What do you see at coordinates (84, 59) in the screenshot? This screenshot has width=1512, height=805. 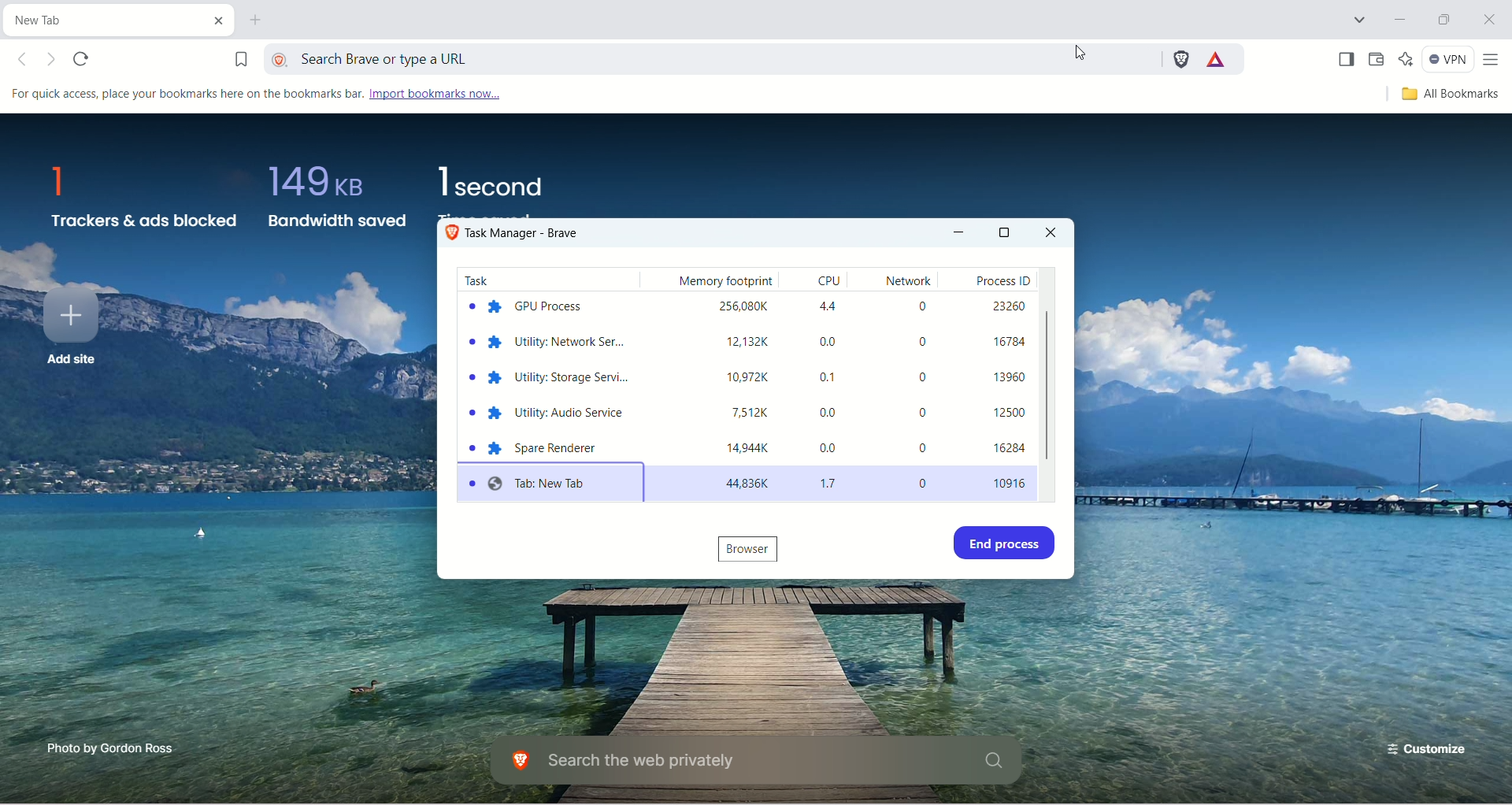 I see `reload` at bounding box center [84, 59].